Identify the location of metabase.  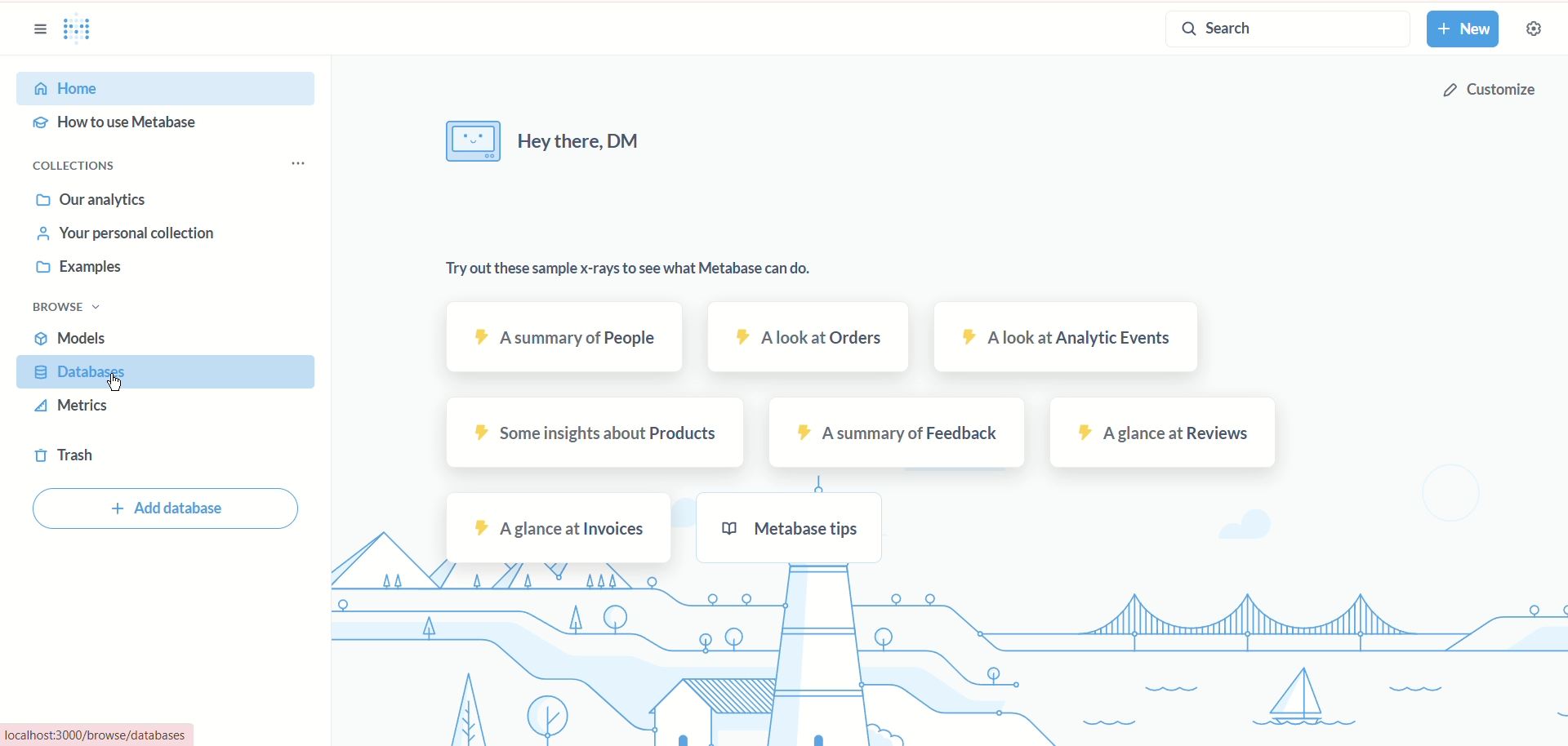
(80, 31).